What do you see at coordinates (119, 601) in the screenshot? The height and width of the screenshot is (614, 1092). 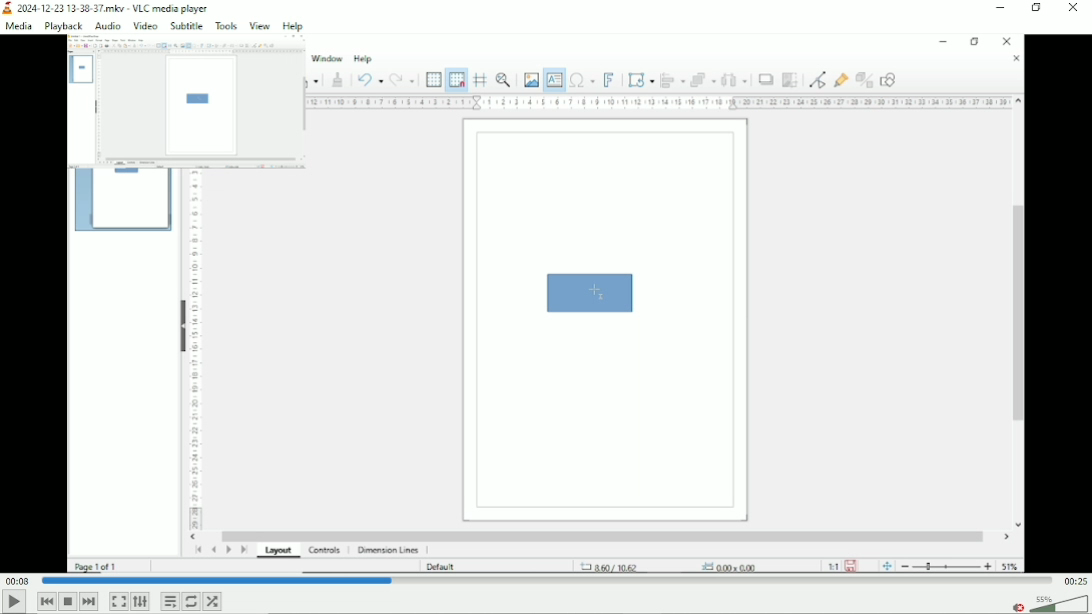 I see `Toggle video in fullscreen` at bounding box center [119, 601].